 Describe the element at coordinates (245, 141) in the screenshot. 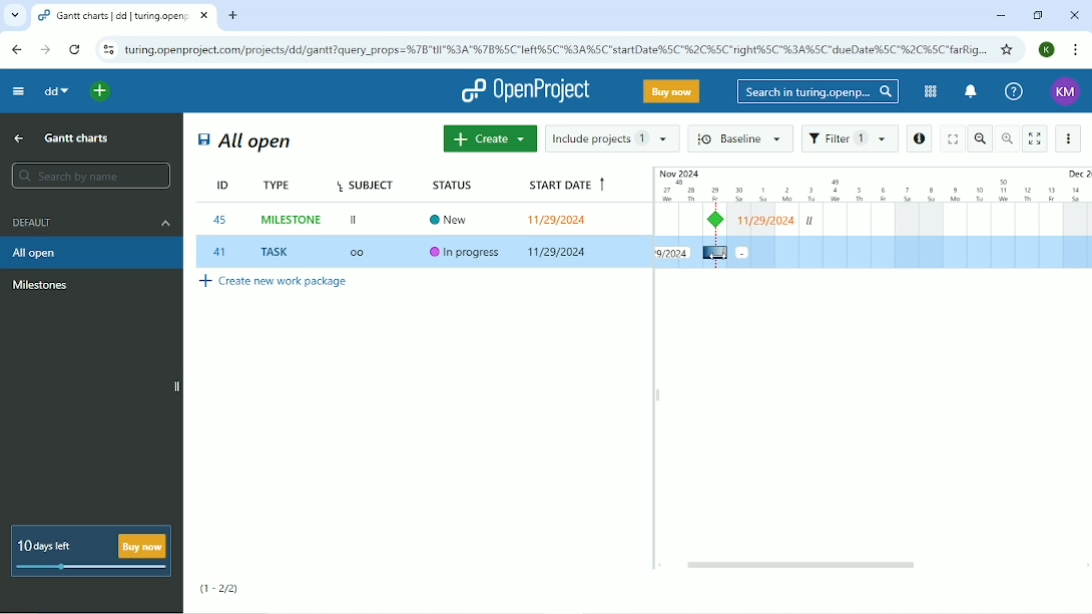

I see `All open` at that location.